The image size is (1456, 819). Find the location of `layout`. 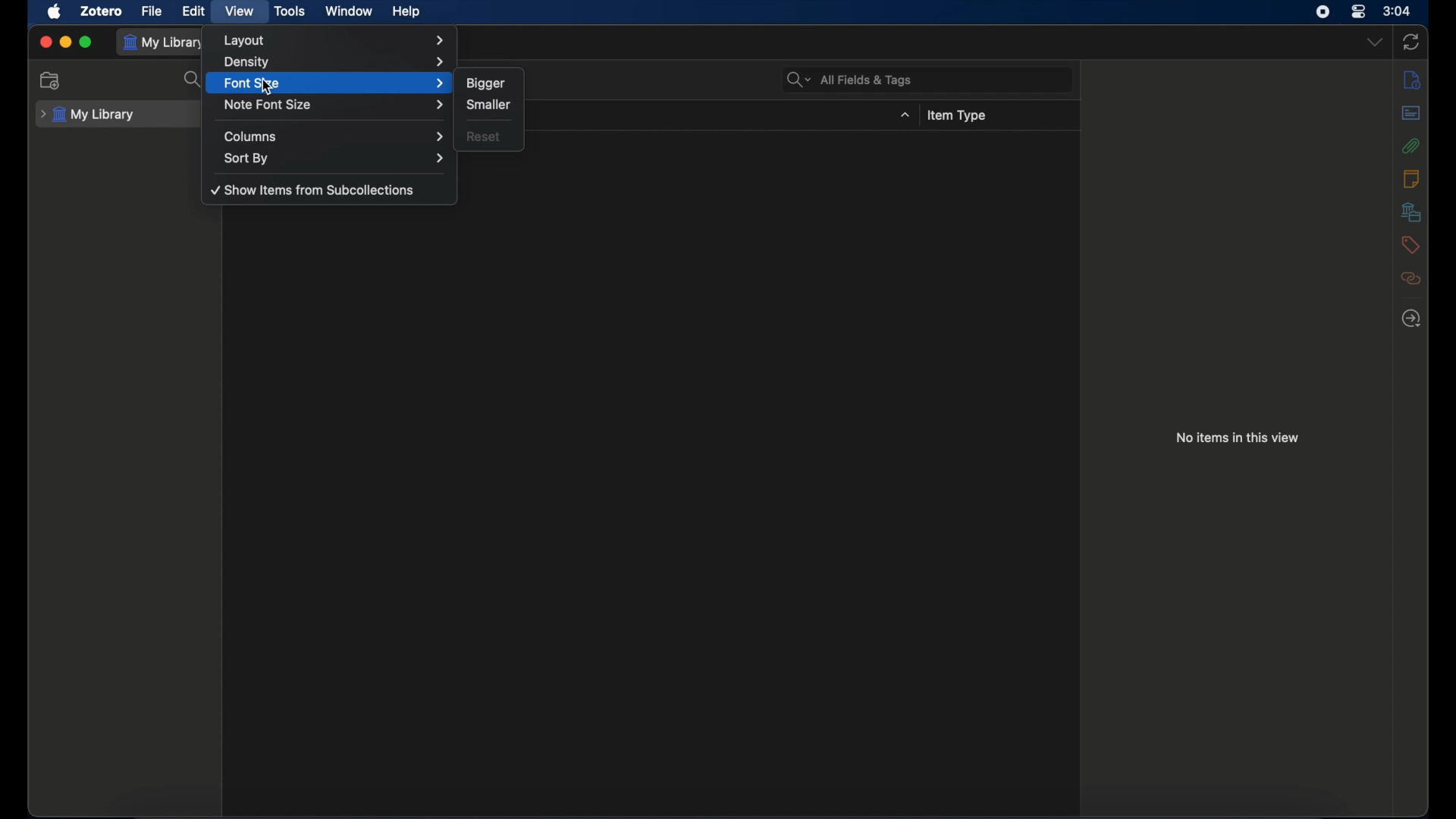

layout is located at coordinates (336, 40).